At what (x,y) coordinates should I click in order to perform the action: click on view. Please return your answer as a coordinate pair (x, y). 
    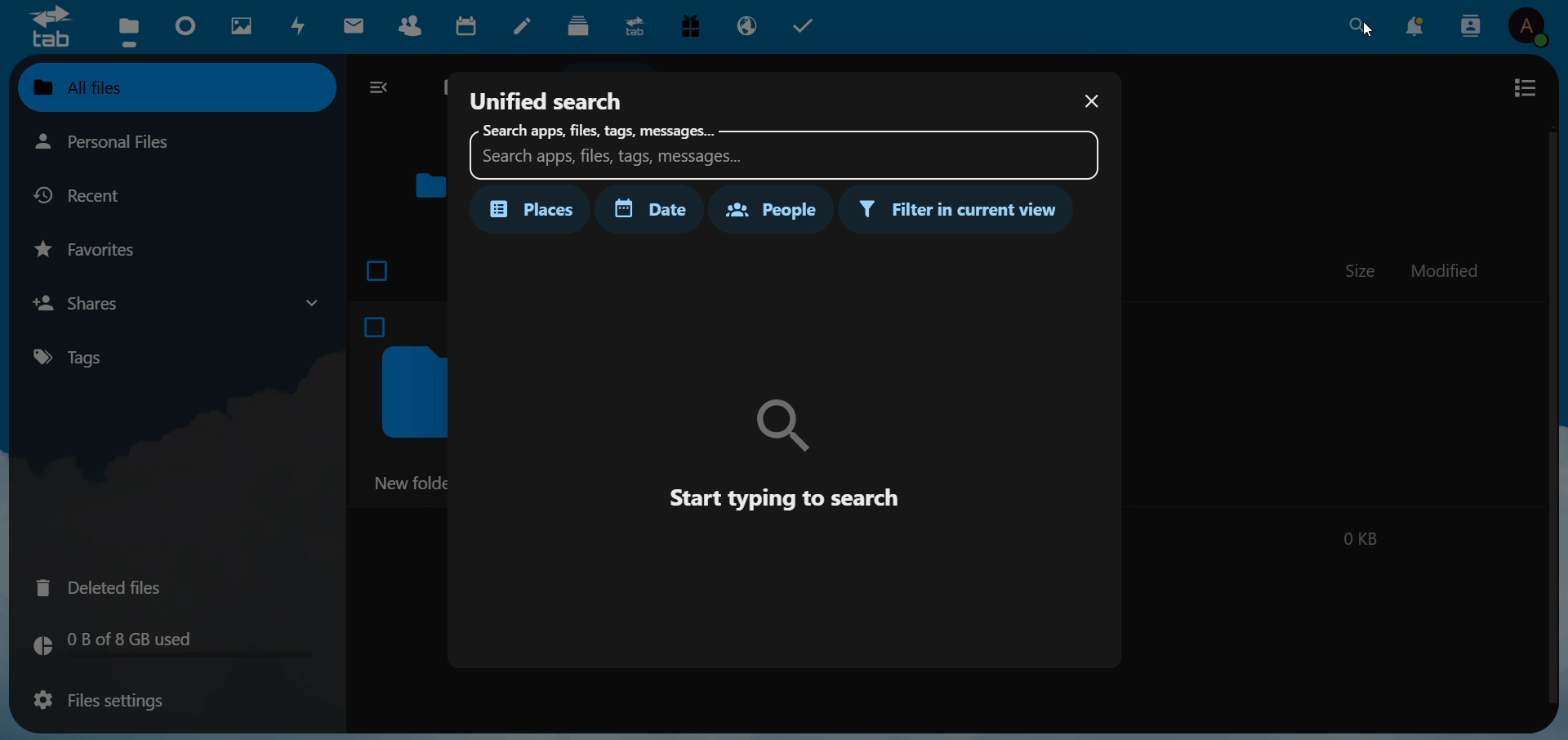
    Looking at the image, I should click on (1525, 87).